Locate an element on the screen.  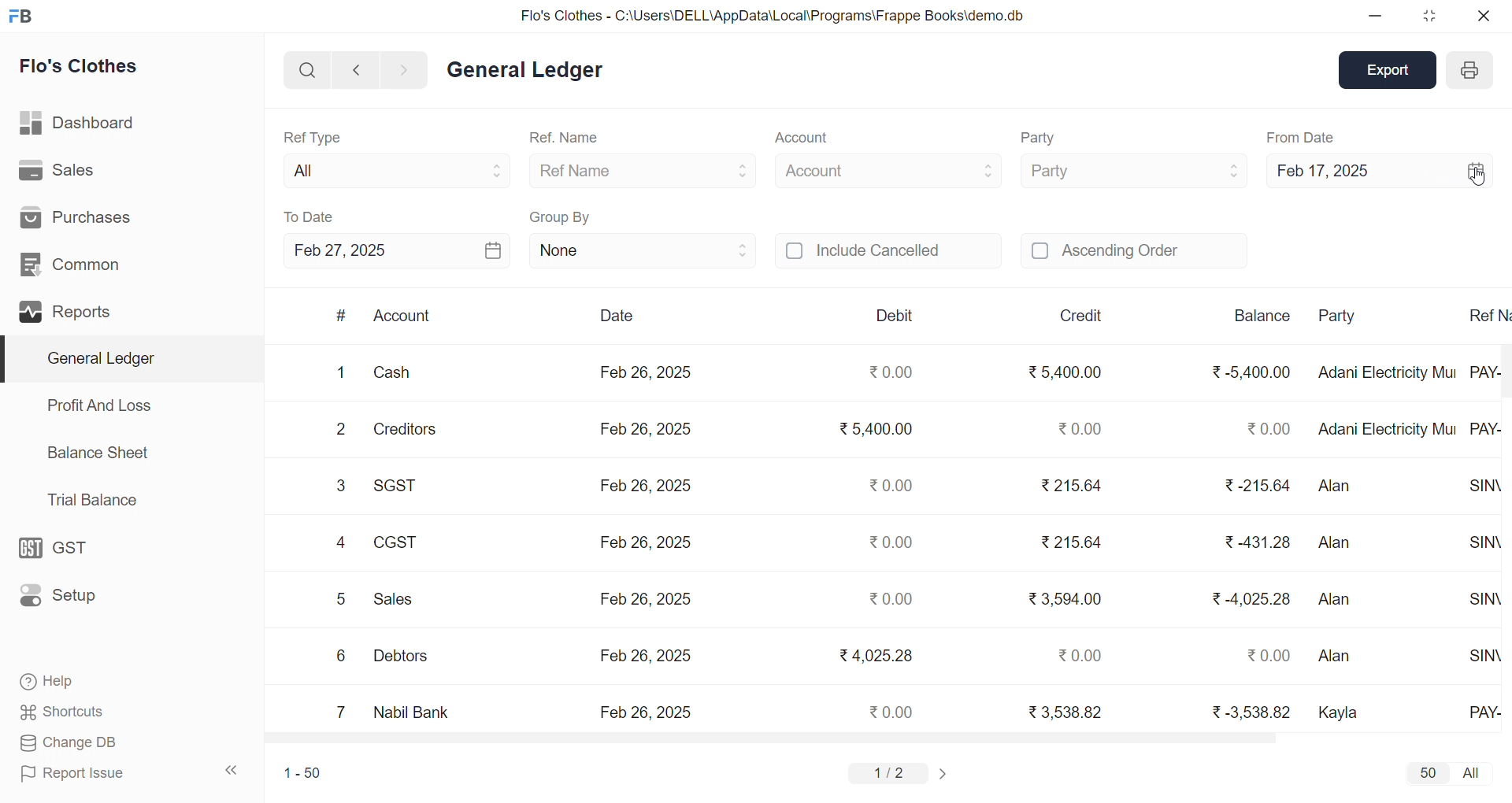
₹0.00 is located at coordinates (894, 600).